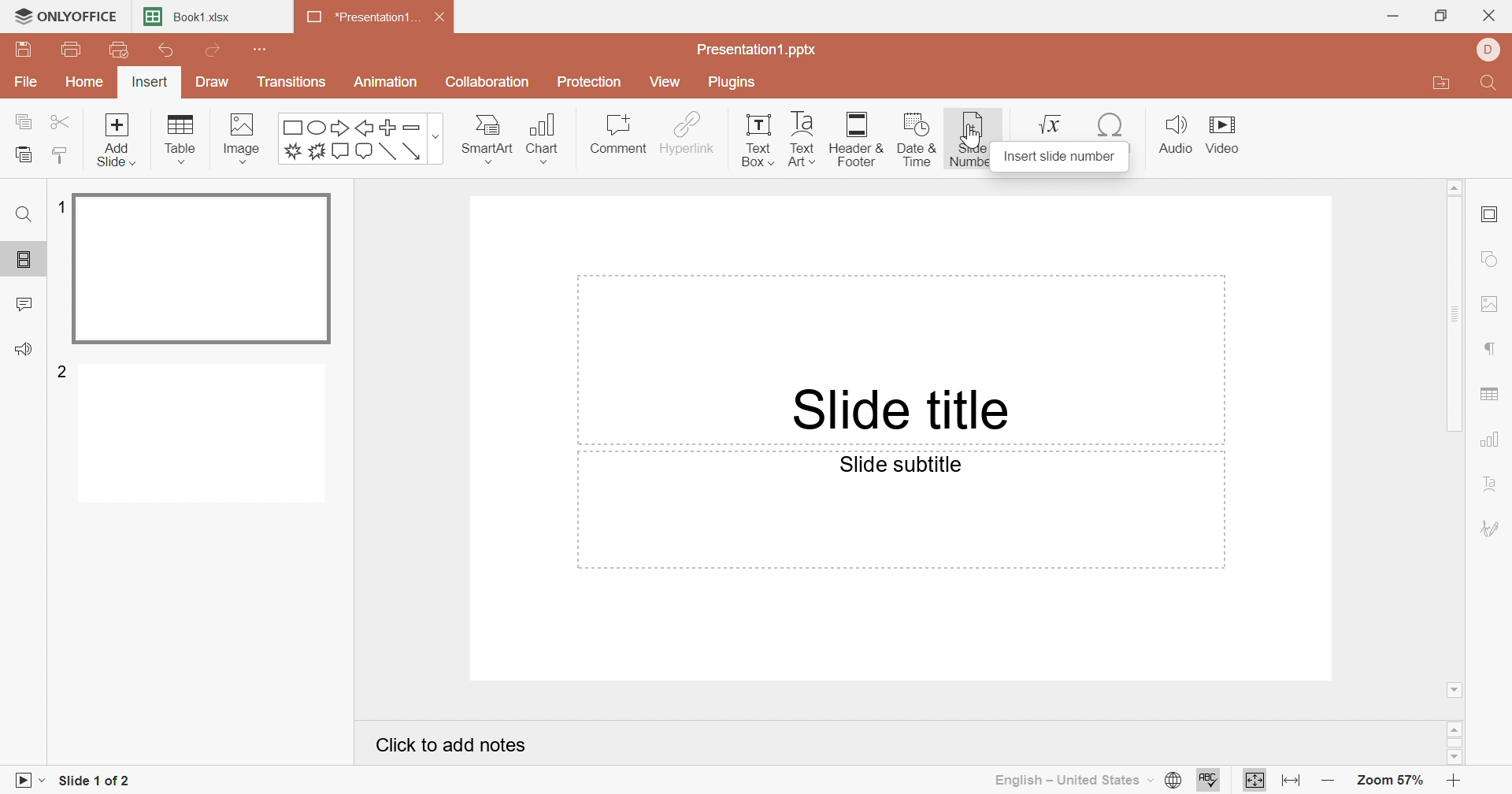 The height and width of the screenshot is (794, 1512). What do you see at coordinates (387, 82) in the screenshot?
I see `Animation` at bounding box center [387, 82].